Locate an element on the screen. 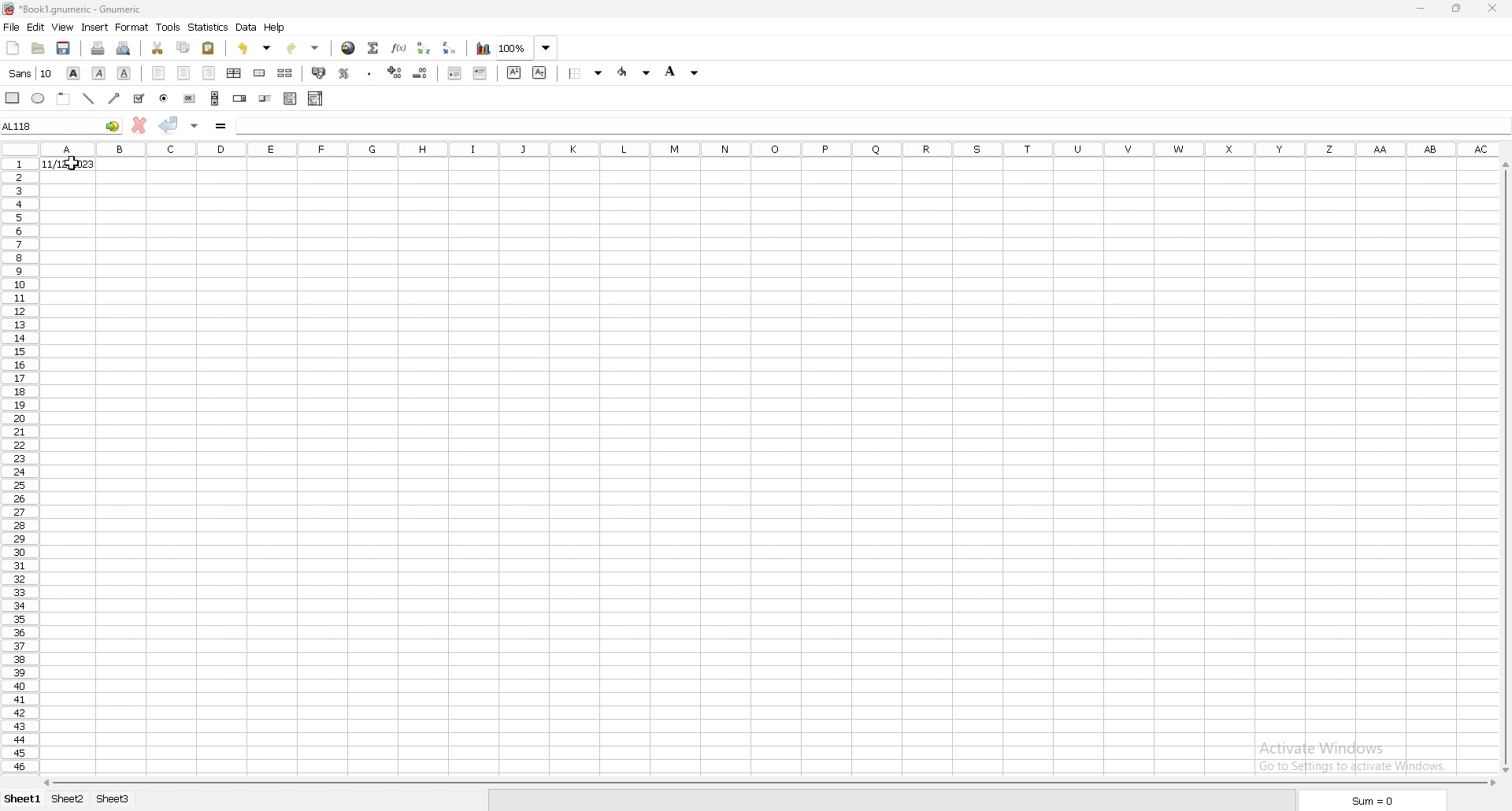  centre horizontally is located at coordinates (234, 73).